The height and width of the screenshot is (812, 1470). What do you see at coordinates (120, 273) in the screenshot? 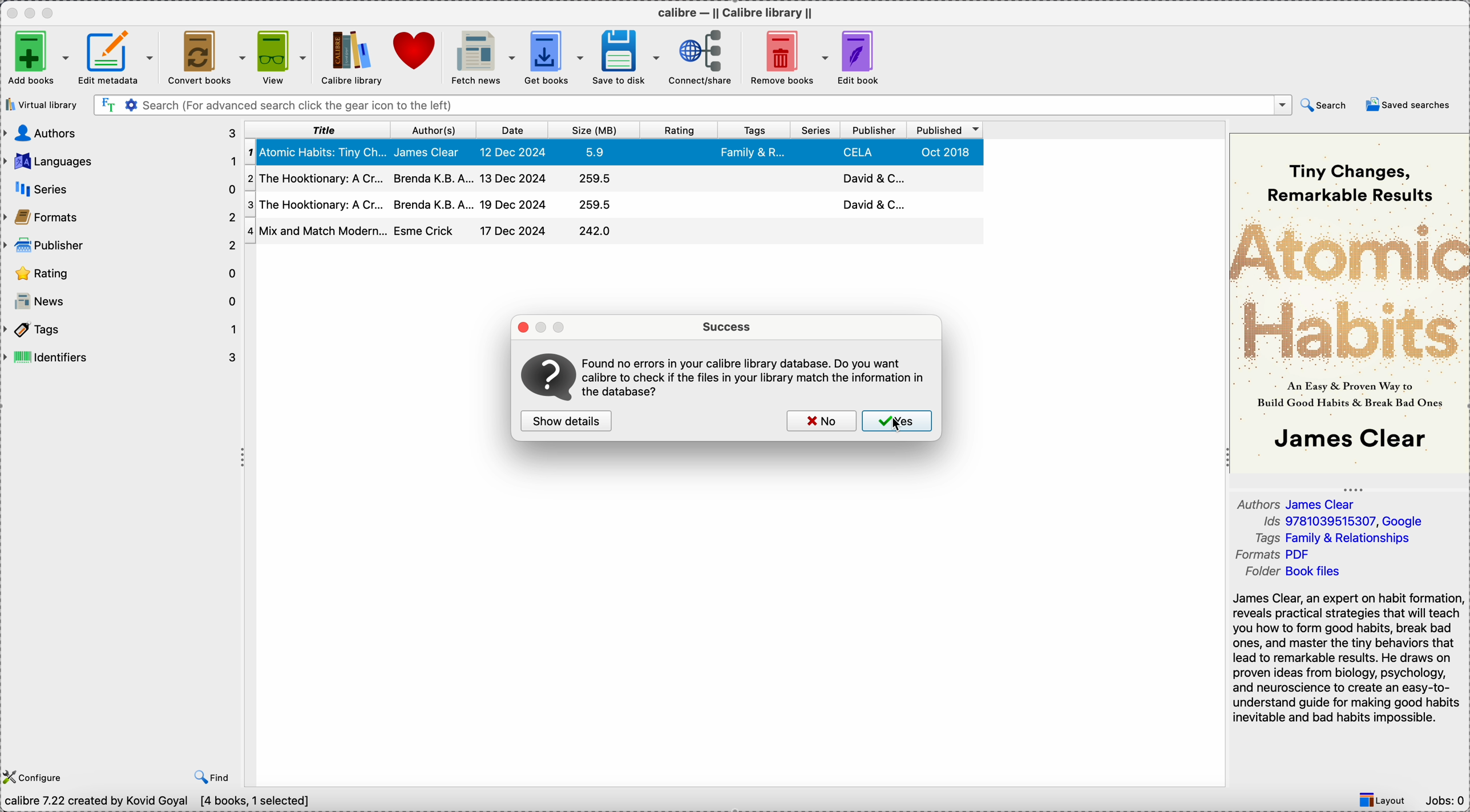
I see `rating` at bounding box center [120, 273].